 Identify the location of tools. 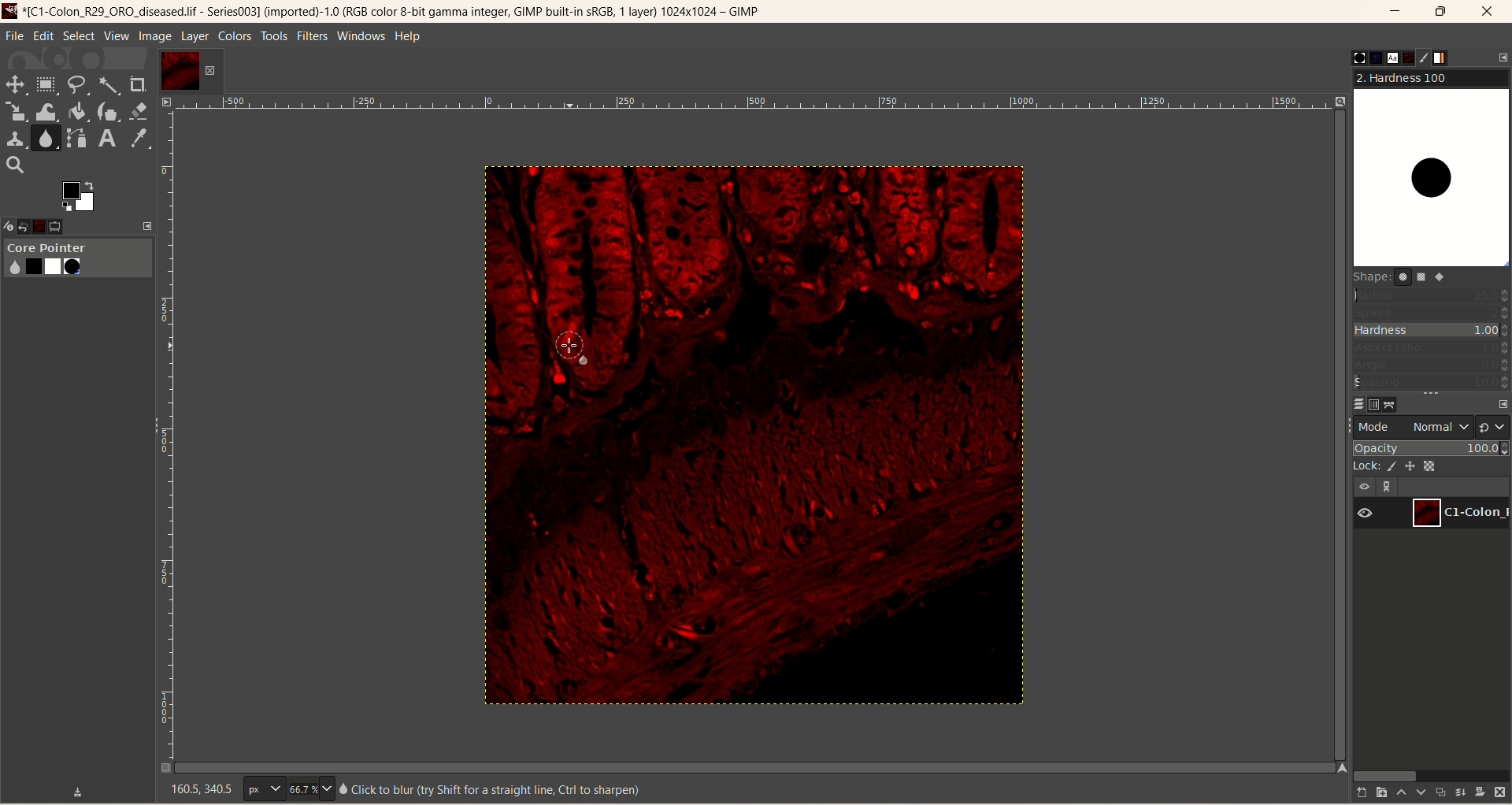
(275, 36).